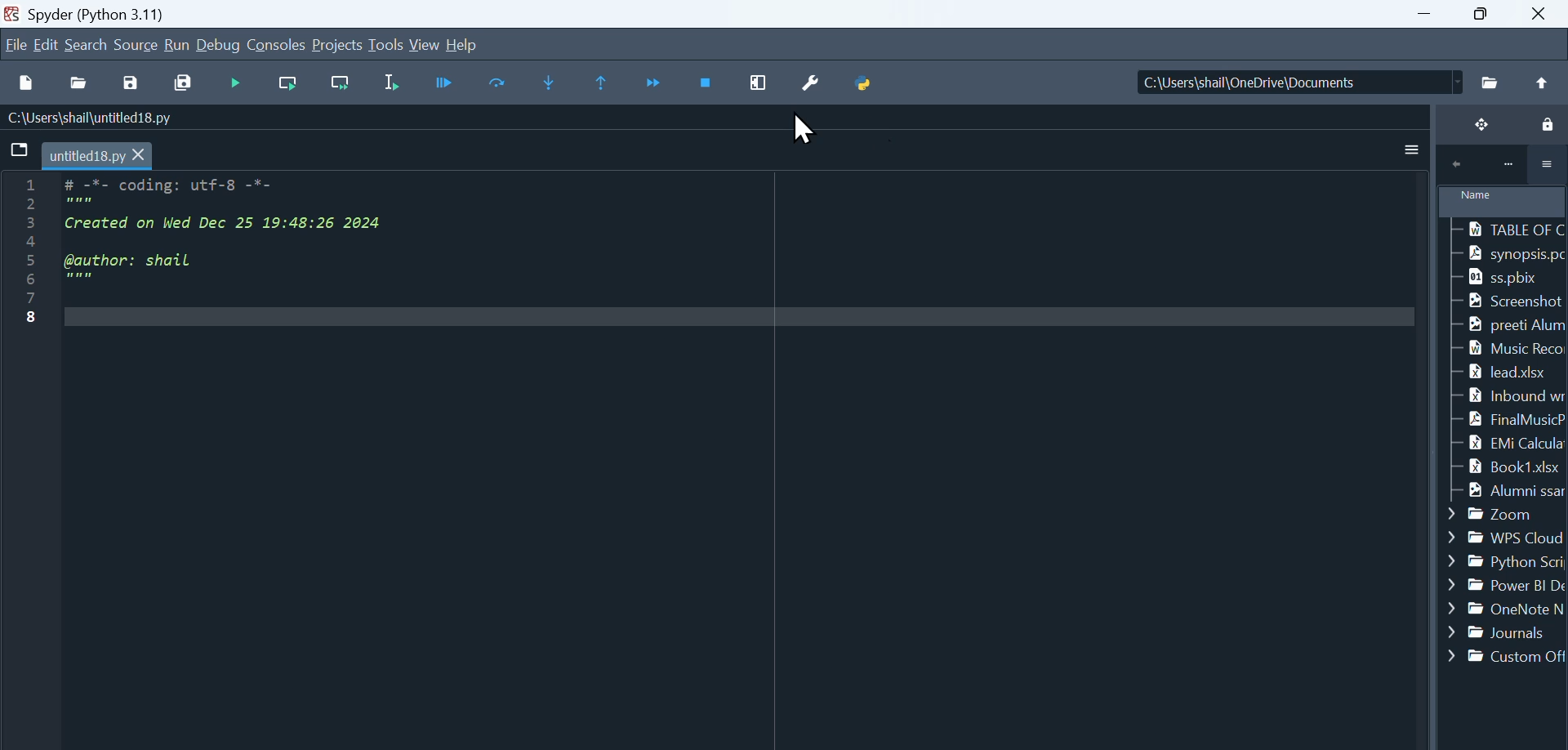  Describe the element at coordinates (1503, 201) in the screenshot. I see `name` at that location.